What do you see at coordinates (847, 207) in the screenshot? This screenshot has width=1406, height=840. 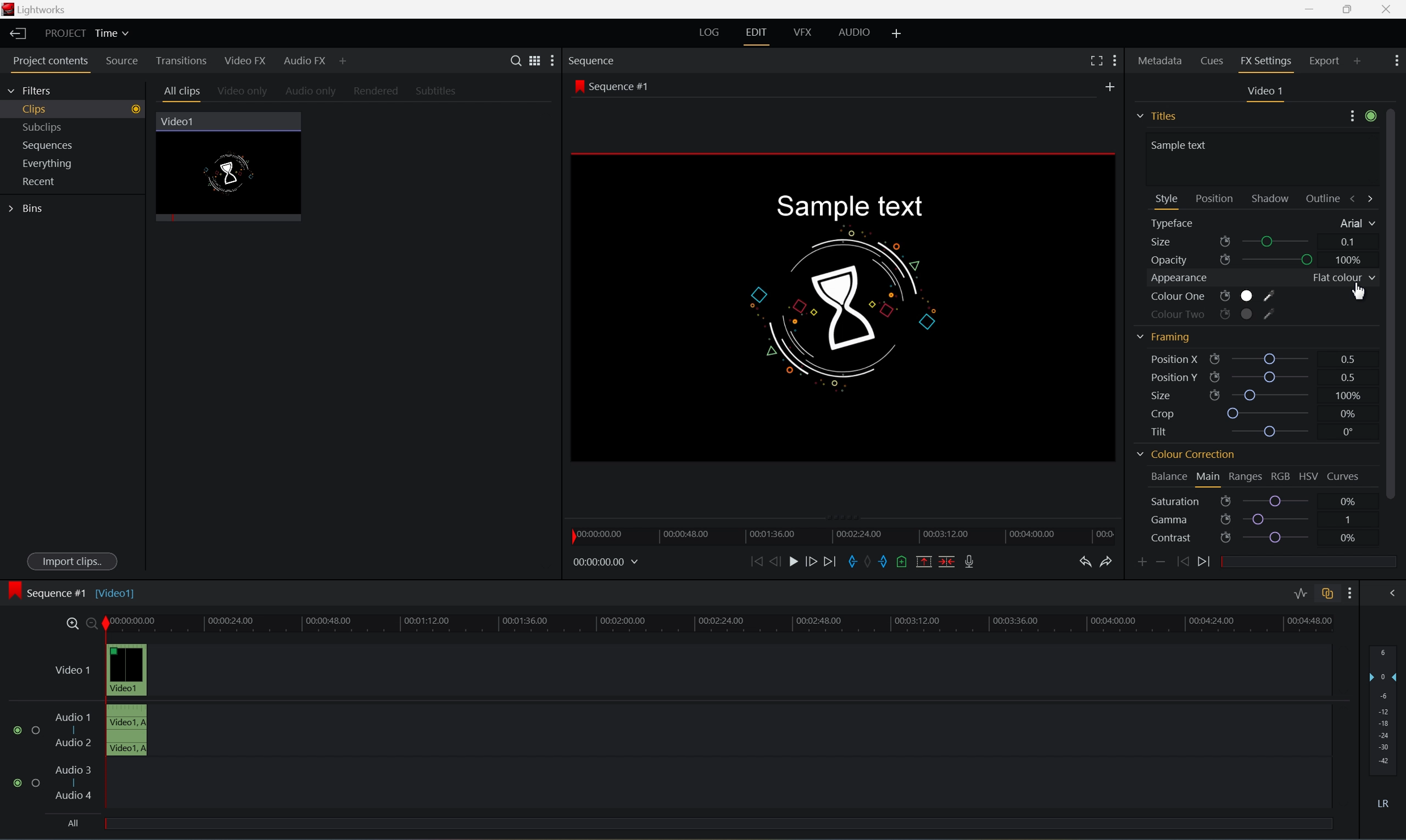 I see `Sample text` at bounding box center [847, 207].